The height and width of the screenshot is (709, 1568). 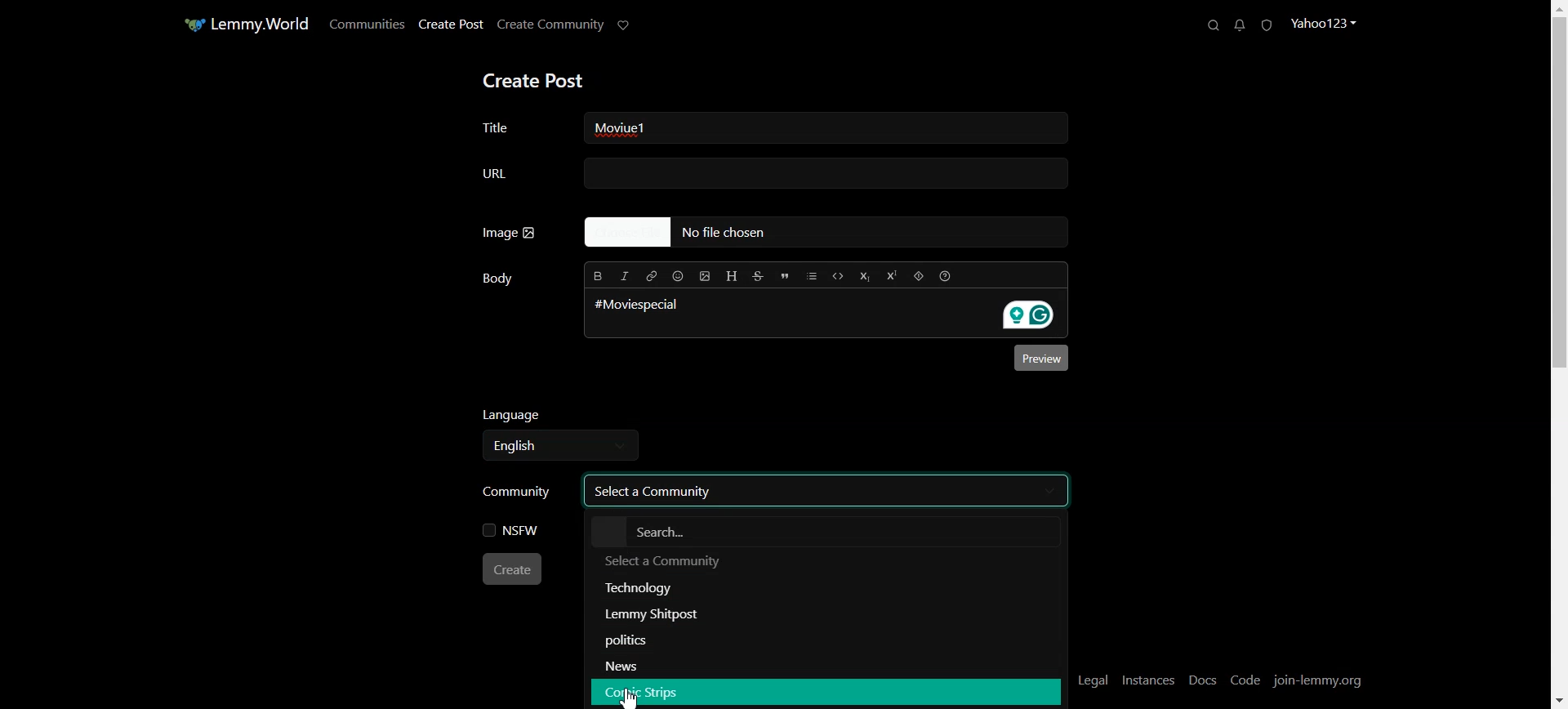 What do you see at coordinates (780, 174) in the screenshot?
I see `URL` at bounding box center [780, 174].